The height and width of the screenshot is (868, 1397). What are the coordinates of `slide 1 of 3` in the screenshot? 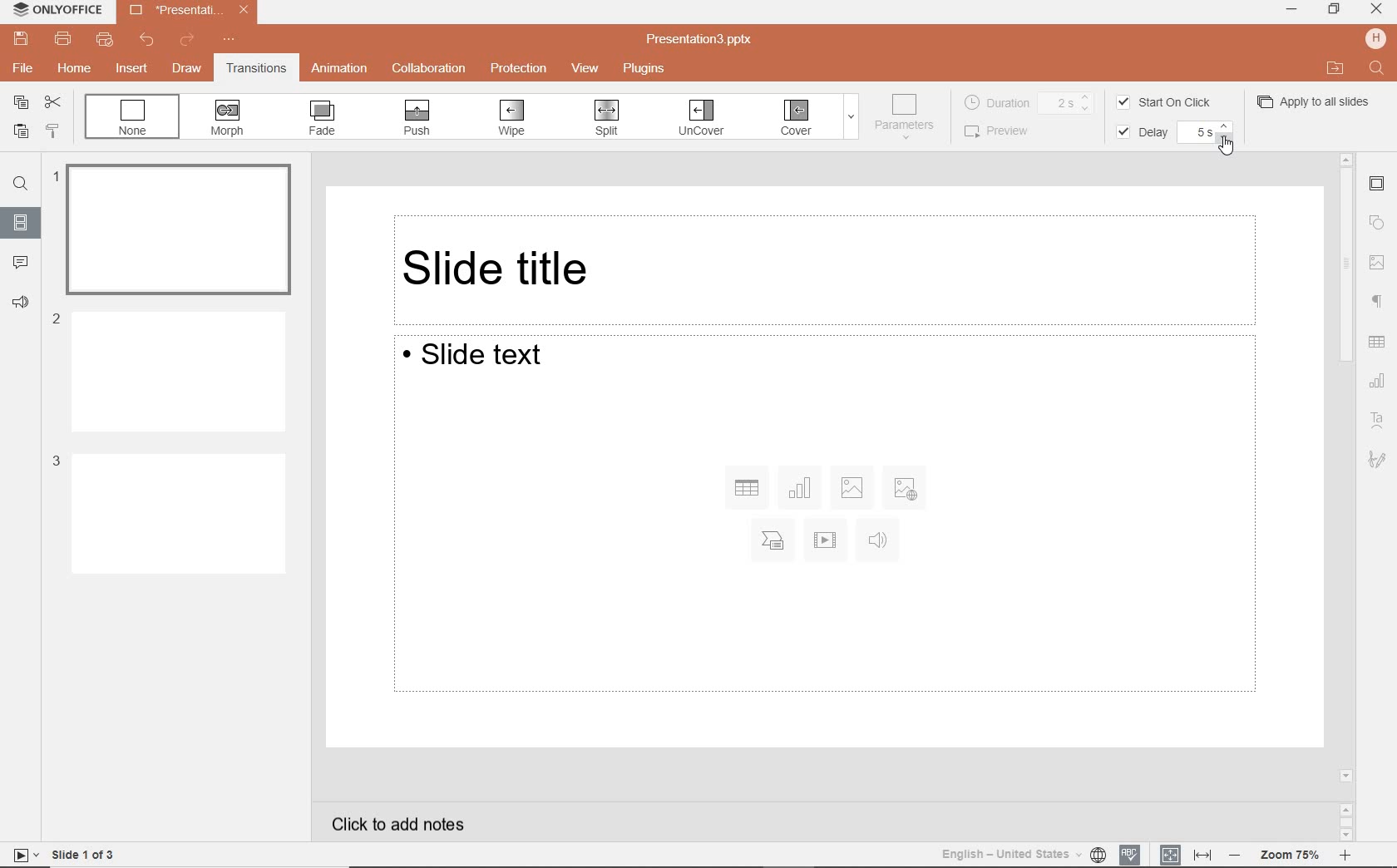 It's located at (61, 855).